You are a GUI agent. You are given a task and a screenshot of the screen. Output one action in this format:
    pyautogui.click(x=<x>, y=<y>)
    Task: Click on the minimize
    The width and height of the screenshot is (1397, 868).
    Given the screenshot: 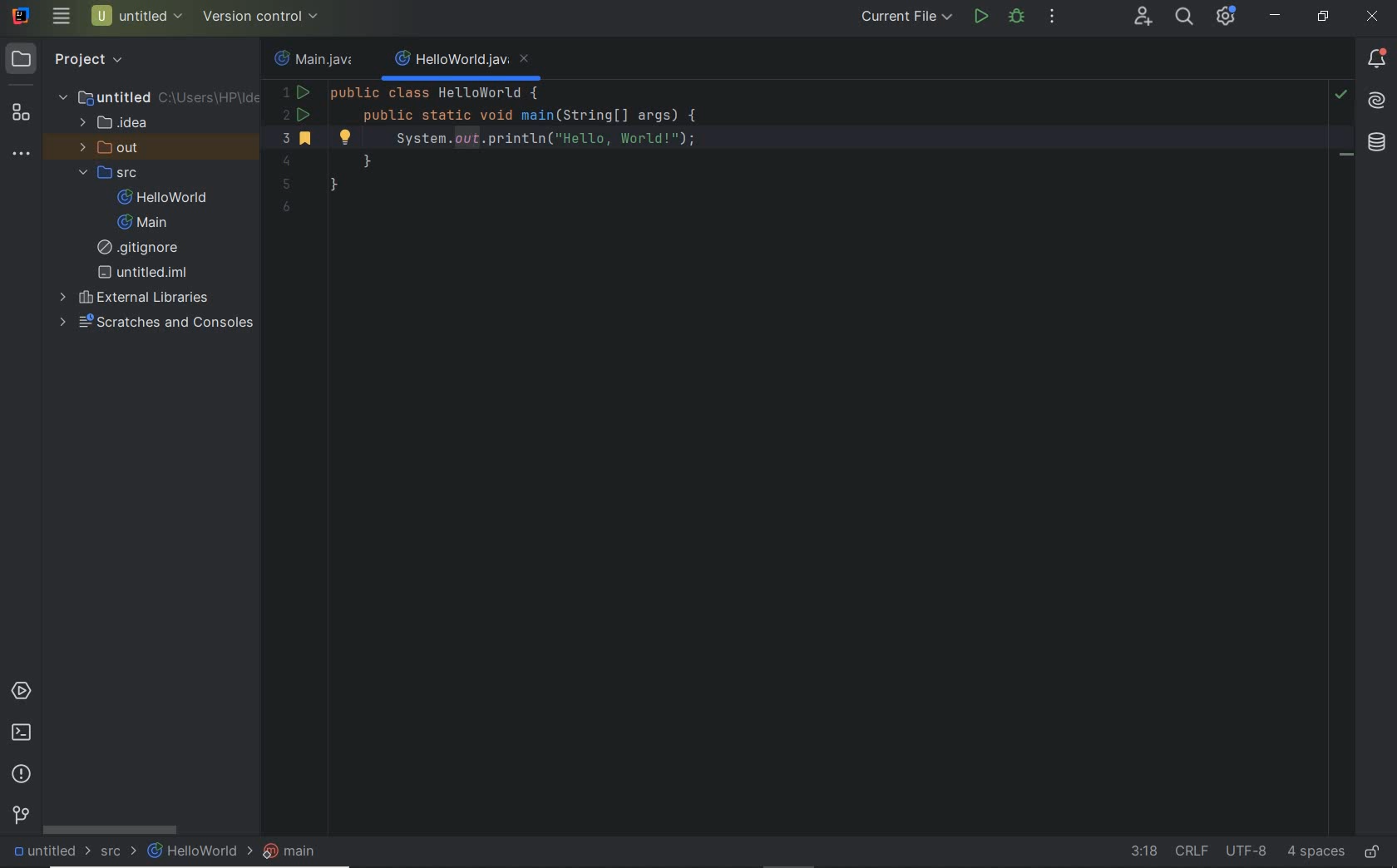 What is the action you would take?
    pyautogui.click(x=1276, y=16)
    